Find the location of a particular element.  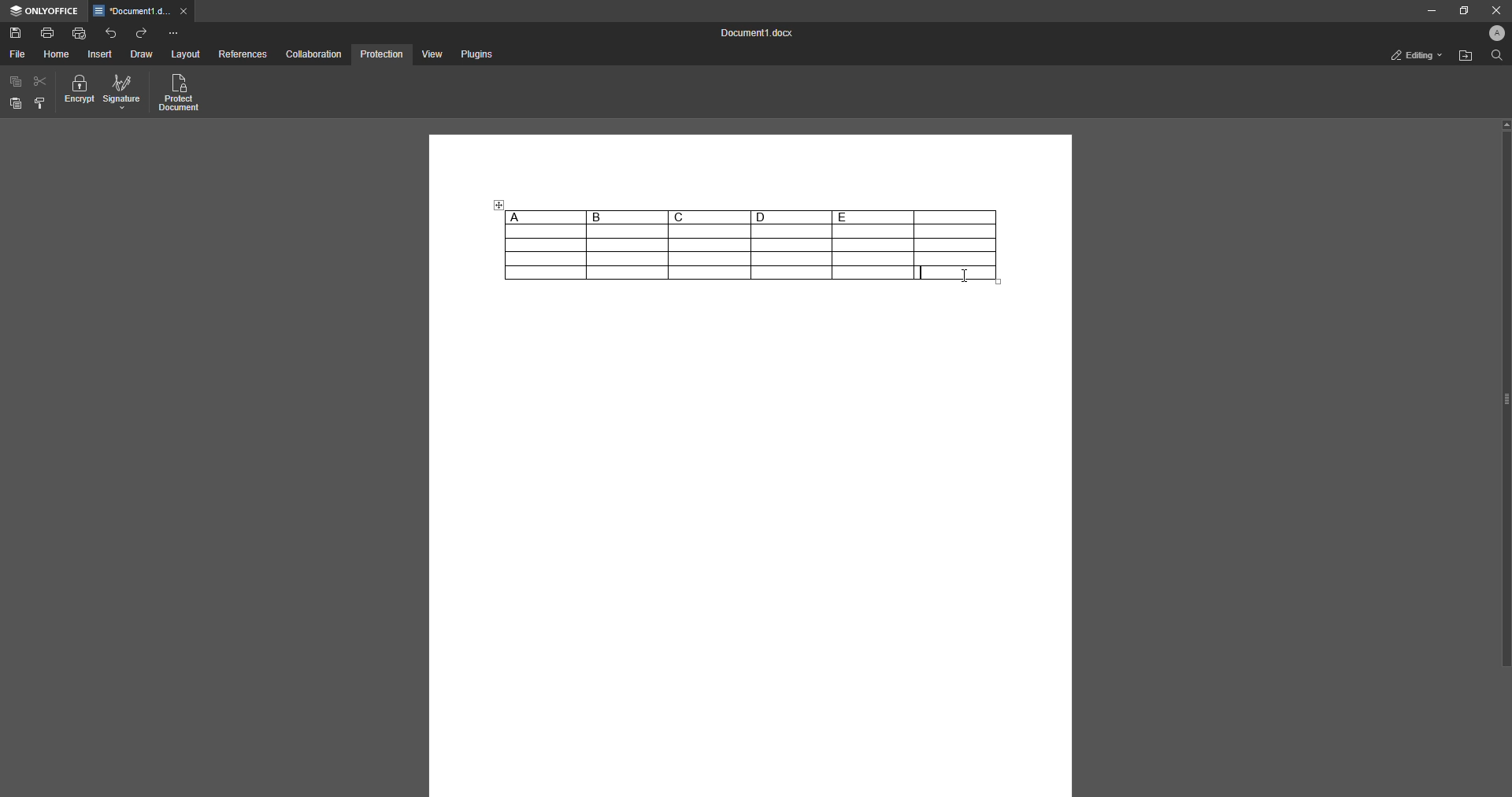

D is located at coordinates (791, 217).